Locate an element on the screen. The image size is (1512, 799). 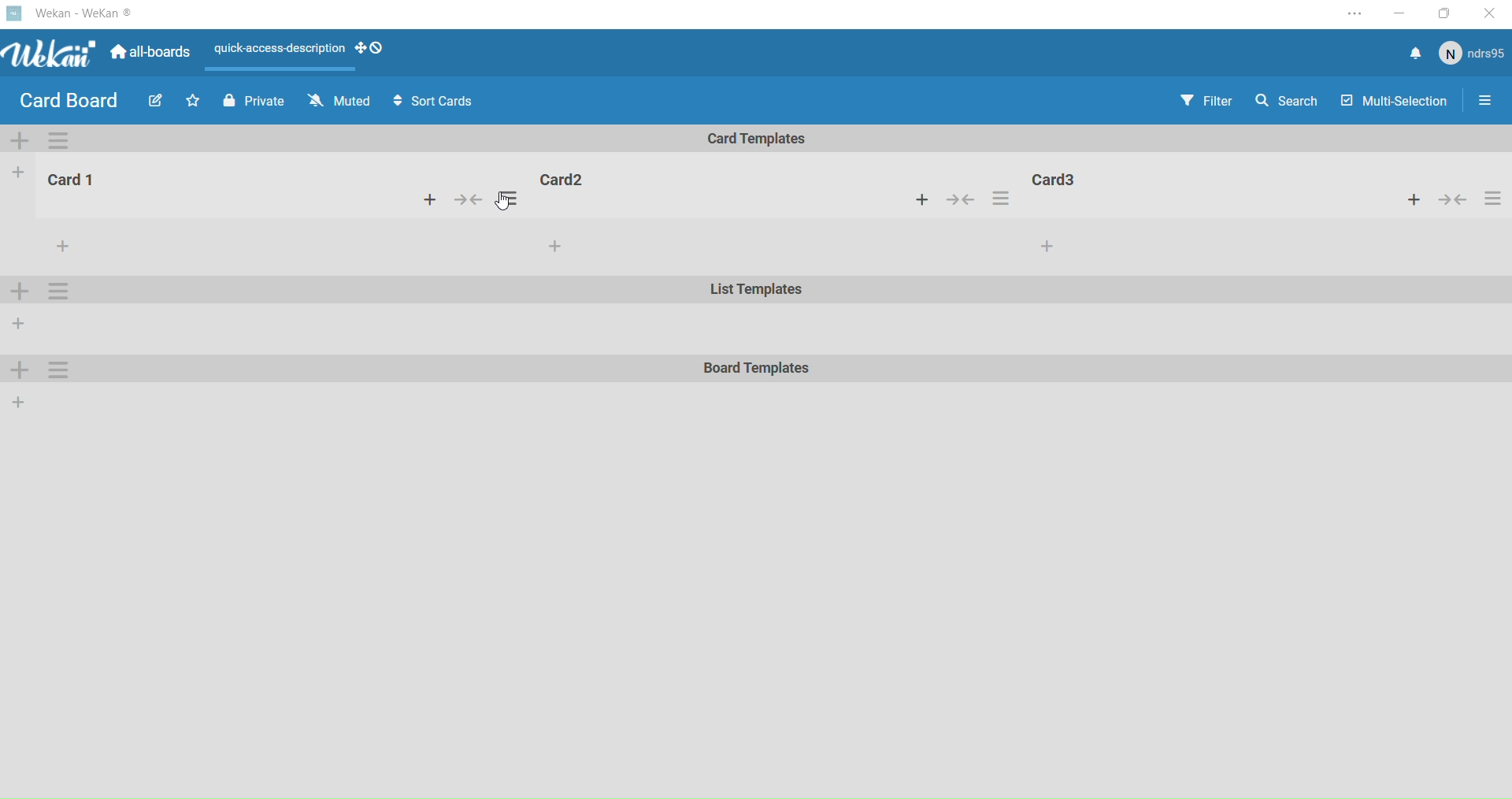
notify is located at coordinates (1414, 55).